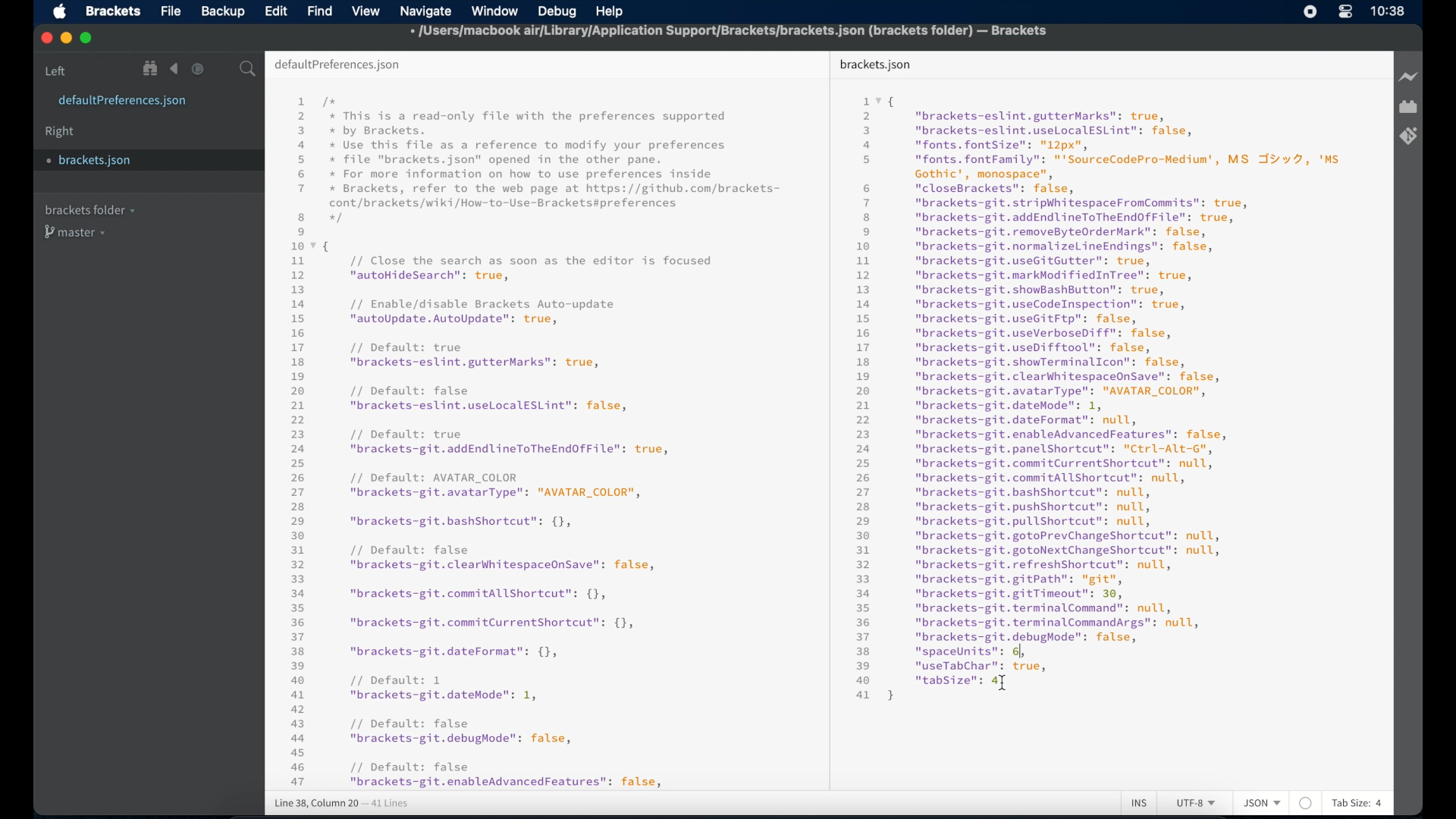  What do you see at coordinates (77, 232) in the screenshot?
I see `master` at bounding box center [77, 232].